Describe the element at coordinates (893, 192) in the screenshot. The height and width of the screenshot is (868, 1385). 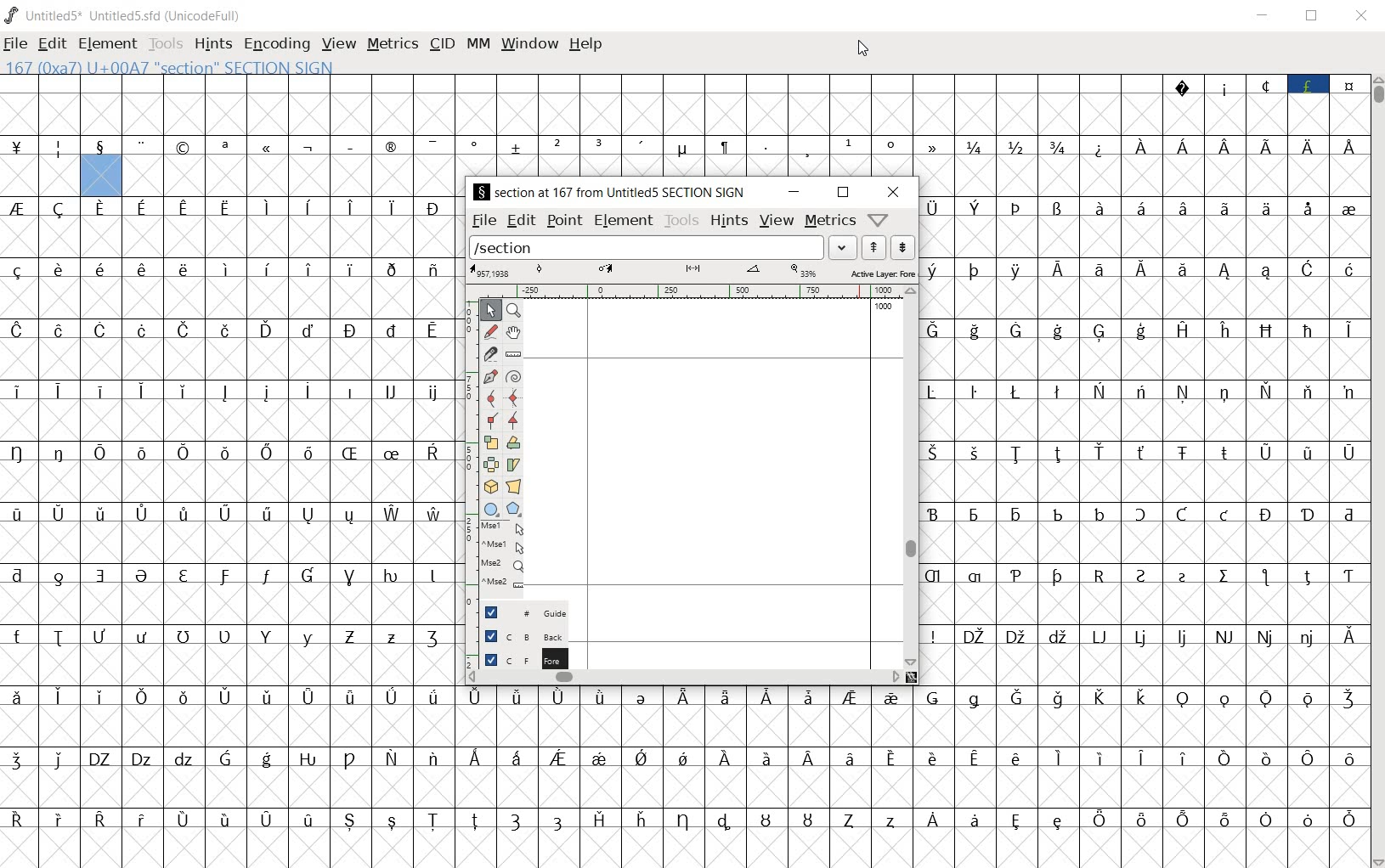
I see `close` at that location.